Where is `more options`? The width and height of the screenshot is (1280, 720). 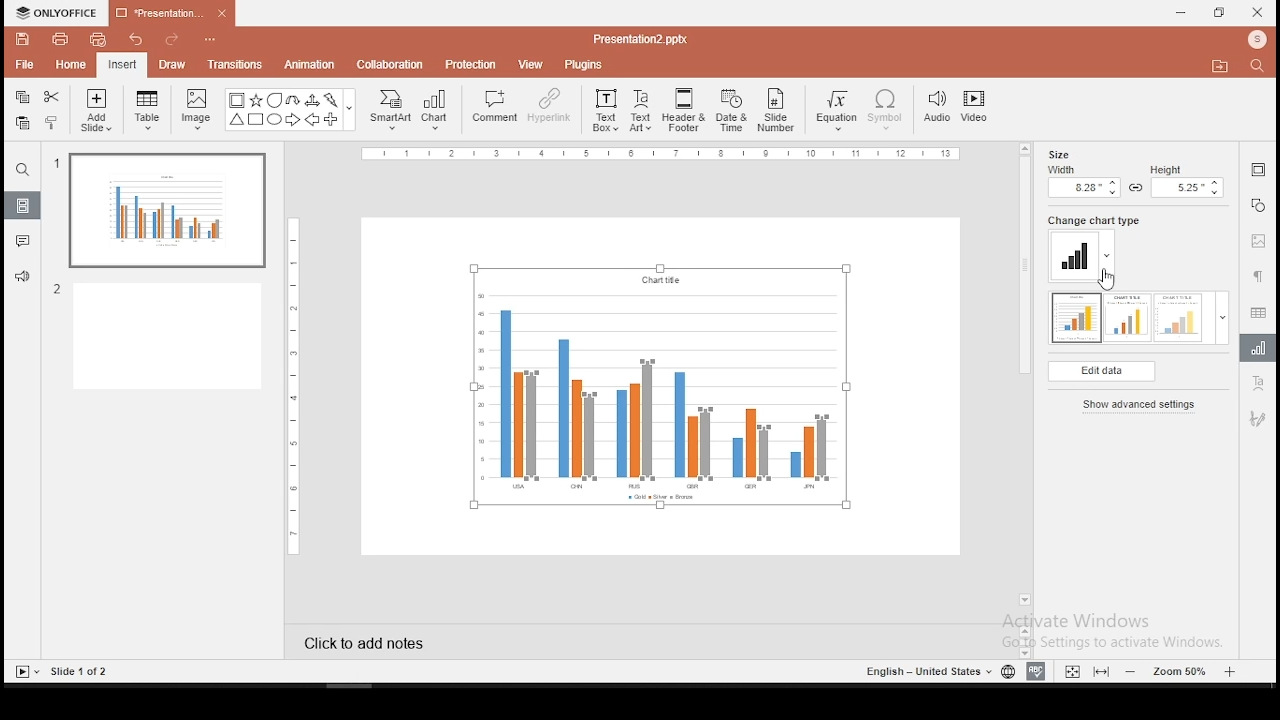 more options is located at coordinates (209, 37).